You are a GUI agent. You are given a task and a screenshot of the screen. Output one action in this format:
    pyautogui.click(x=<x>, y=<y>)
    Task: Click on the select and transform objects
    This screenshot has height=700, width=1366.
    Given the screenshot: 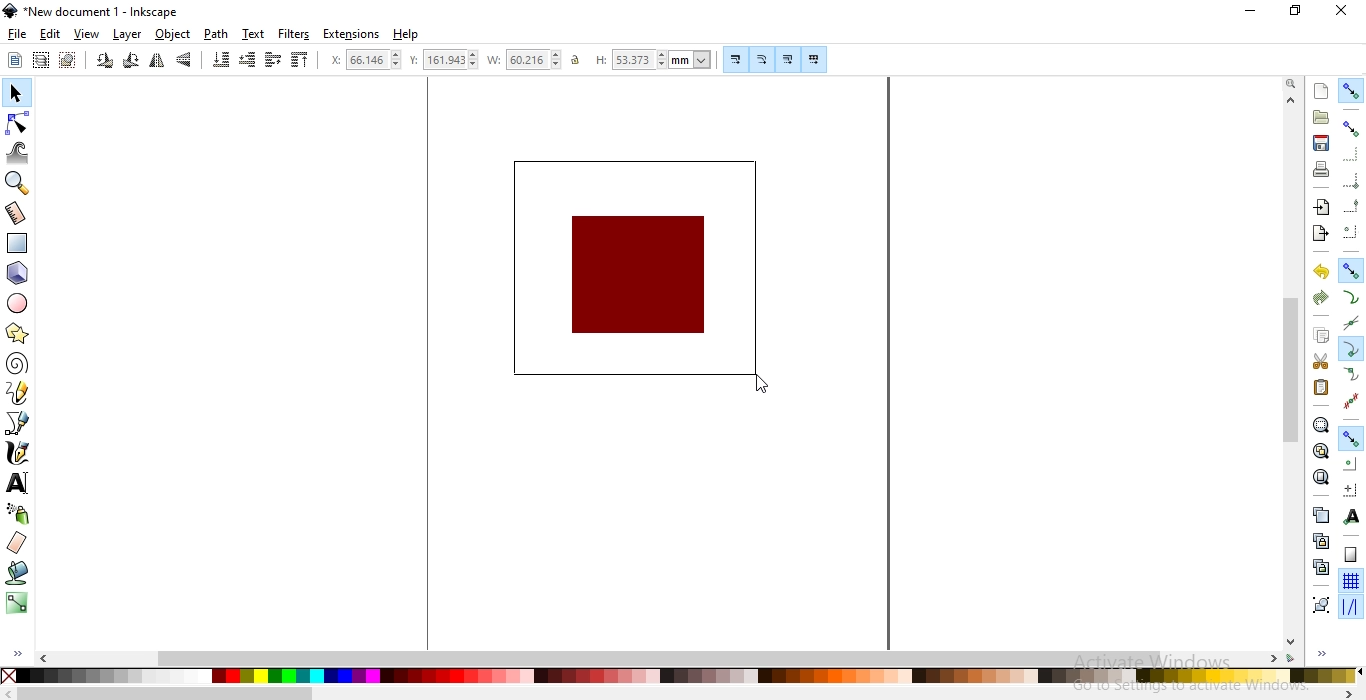 What is the action you would take?
    pyautogui.click(x=16, y=93)
    